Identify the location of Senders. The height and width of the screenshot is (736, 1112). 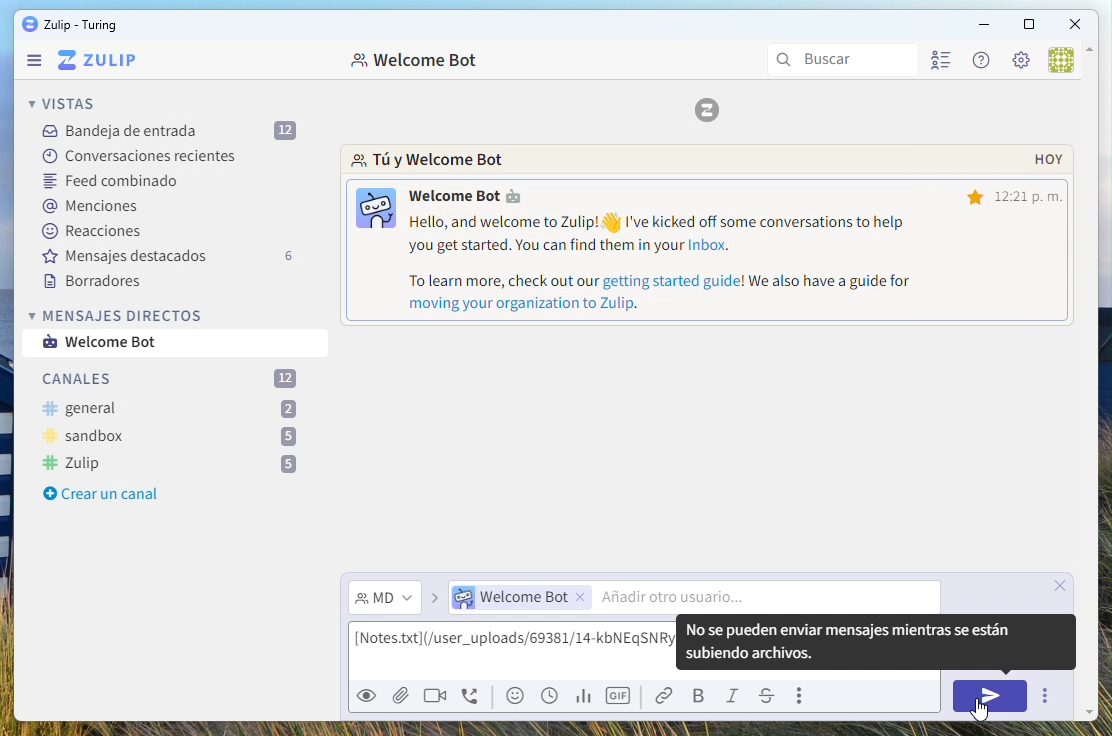
(689, 599).